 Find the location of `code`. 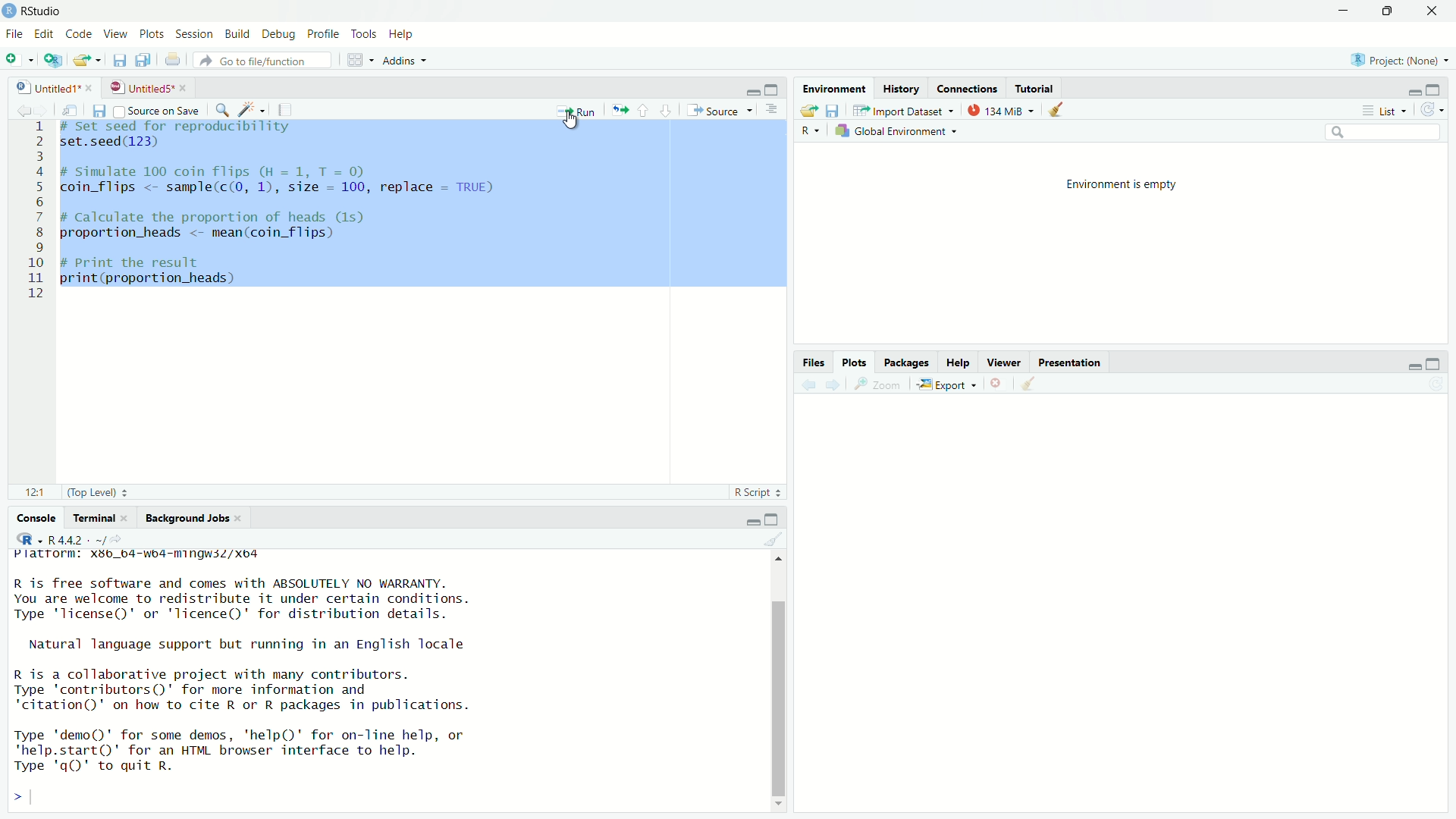

code is located at coordinates (80, 33).